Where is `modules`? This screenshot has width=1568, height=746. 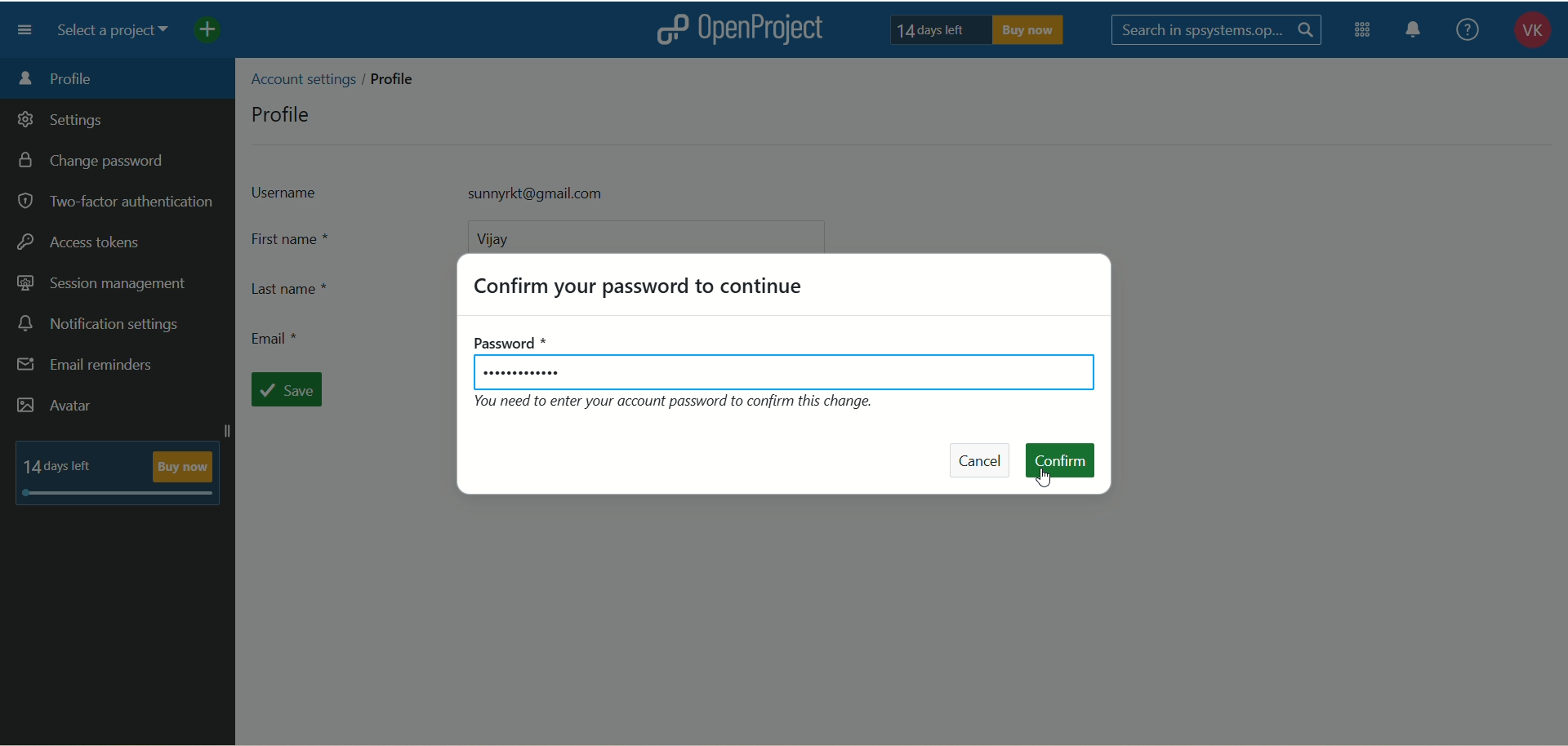
modules is located at coordinates (1364, 33).